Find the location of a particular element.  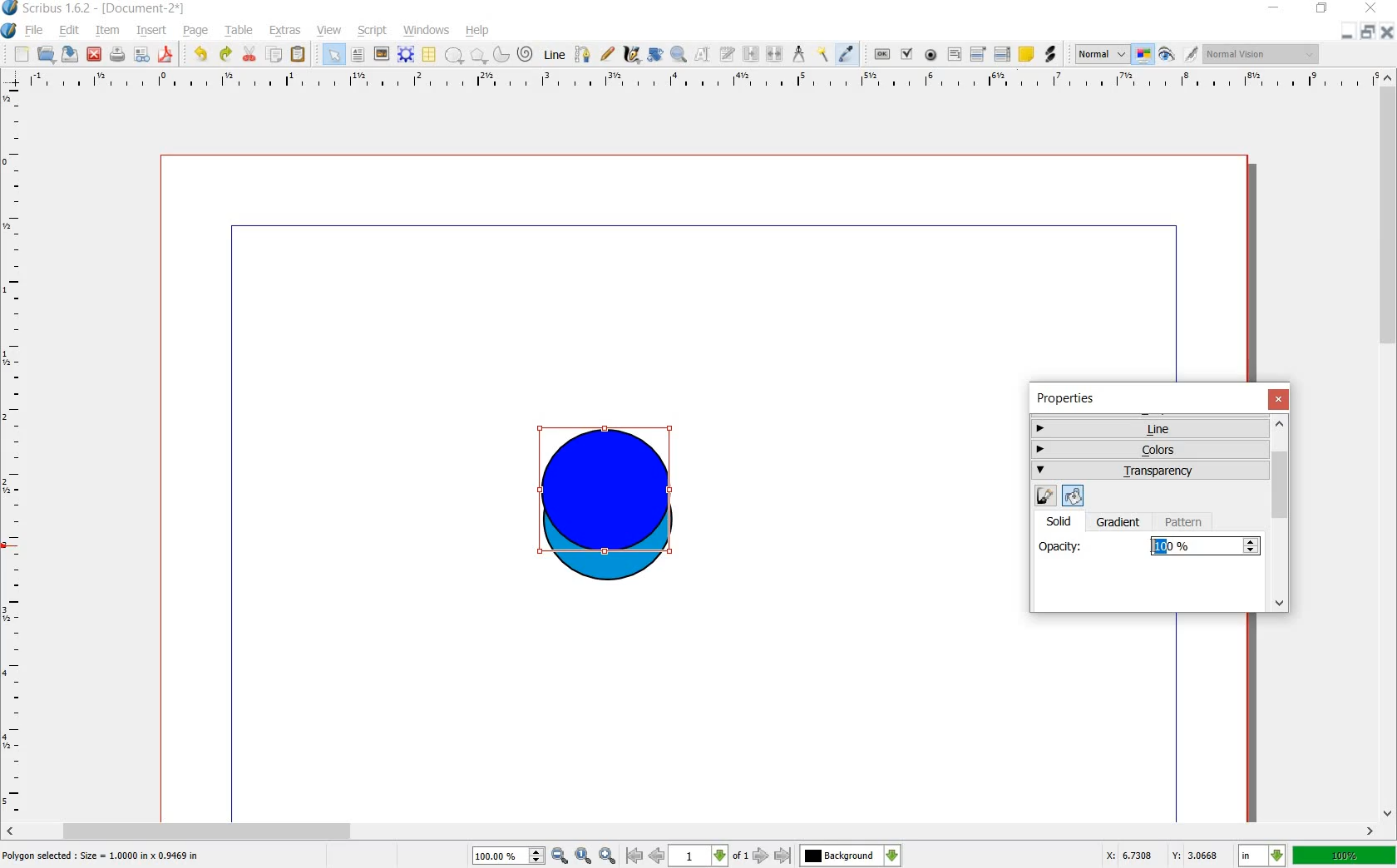

render frame is located at coordinates (405, 53).